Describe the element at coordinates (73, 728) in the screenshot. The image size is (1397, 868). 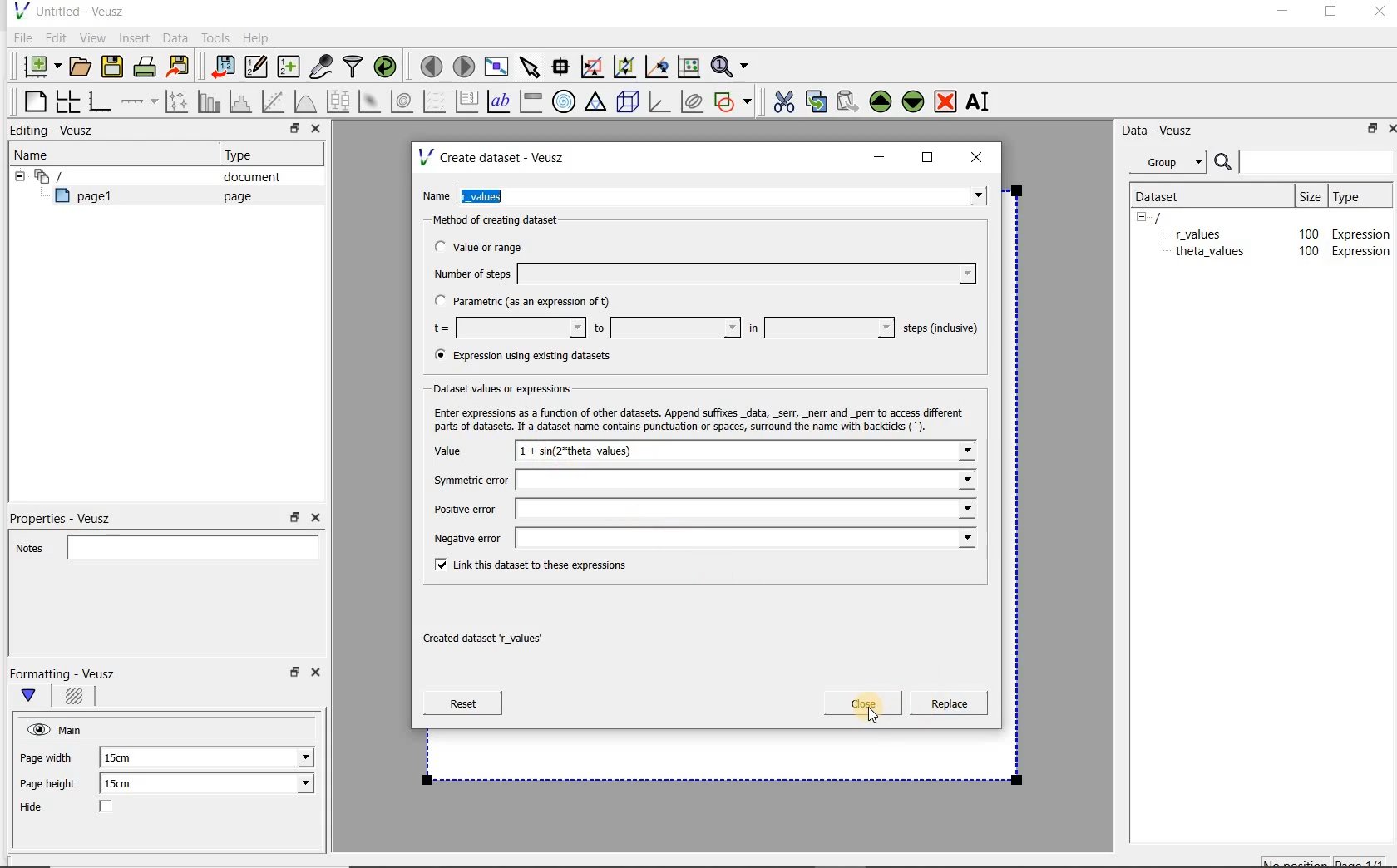
I see `Main` at that location.